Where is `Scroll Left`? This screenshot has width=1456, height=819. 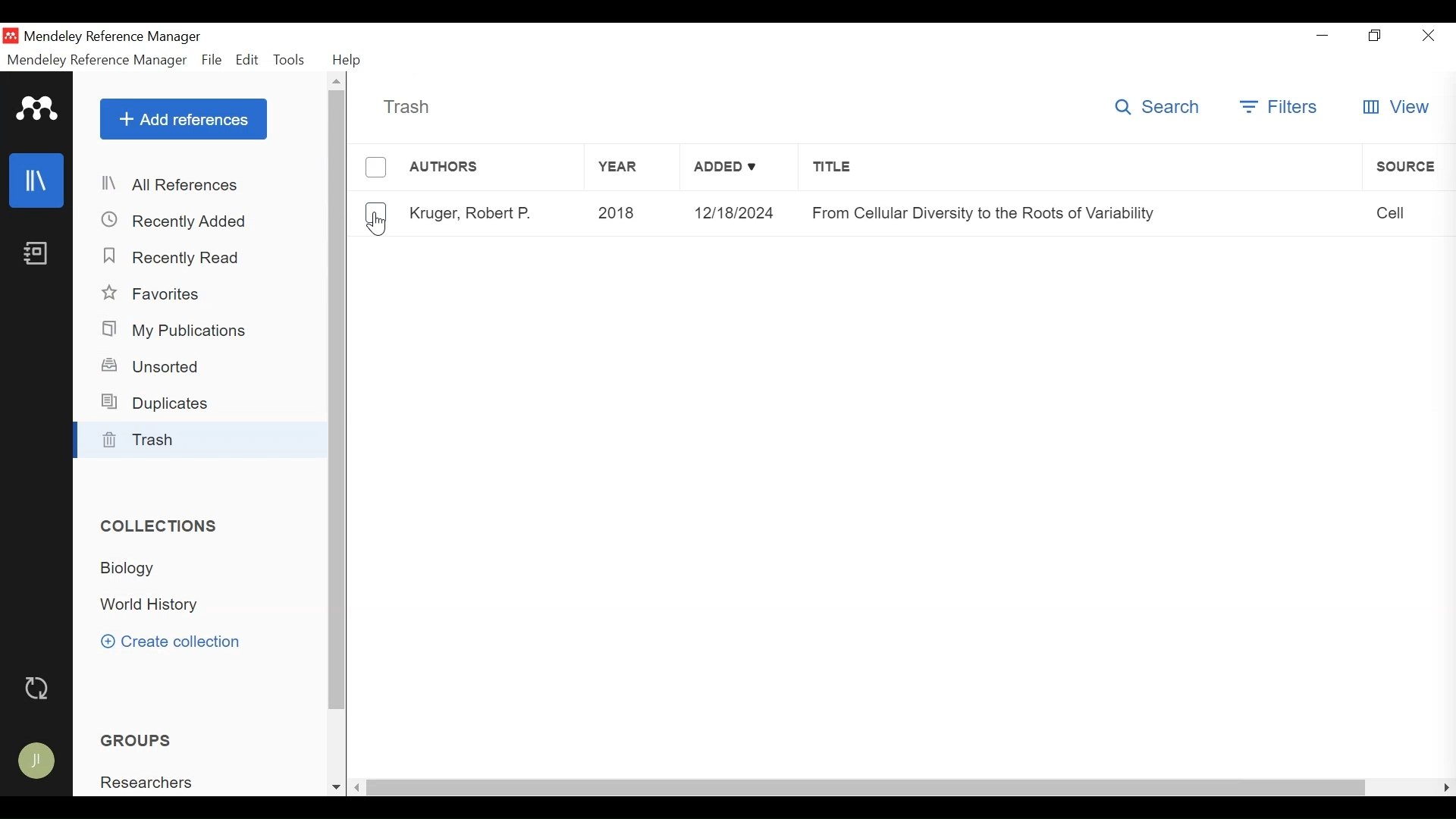 Scroll Left is located at coordinates (356, 787).